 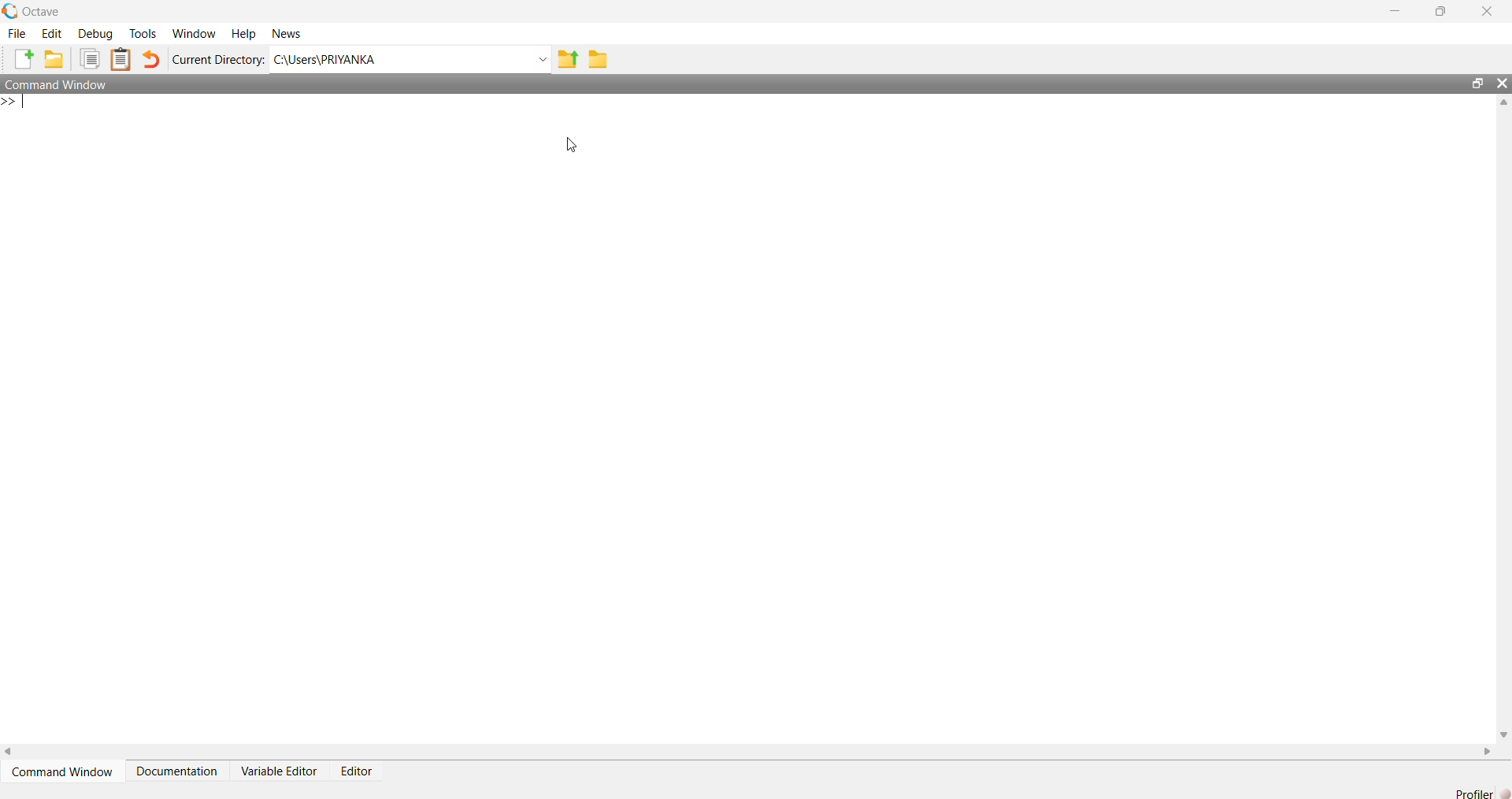 What do you see at coordinates (53, 59) in the screenshot?
I see `Open an existing file in editor` at bounding box center [53, 59].